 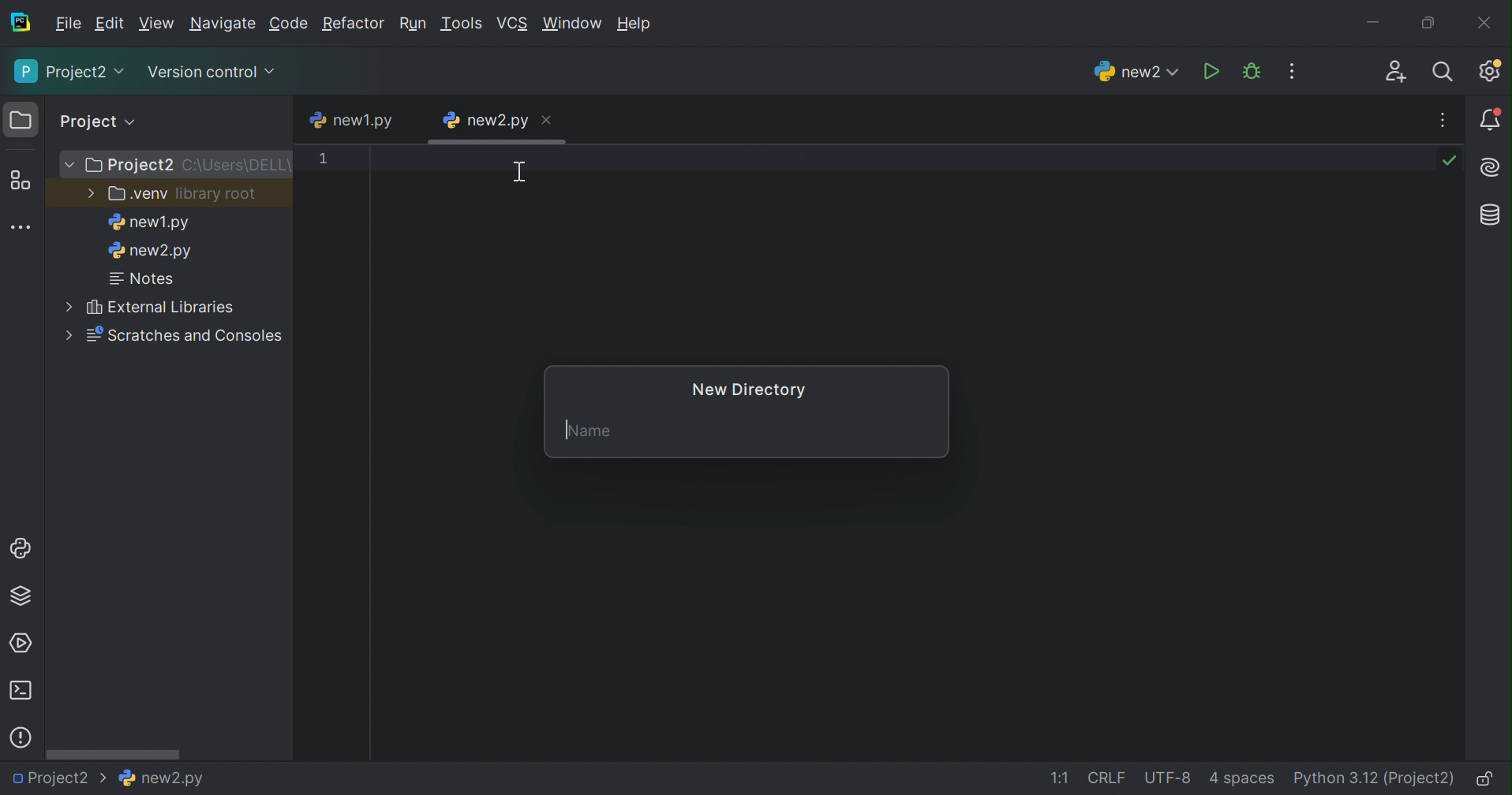 What do you see at coordinates (58, 782) in the screenshot?
I see `Project2` at bounding box center [58, 782].